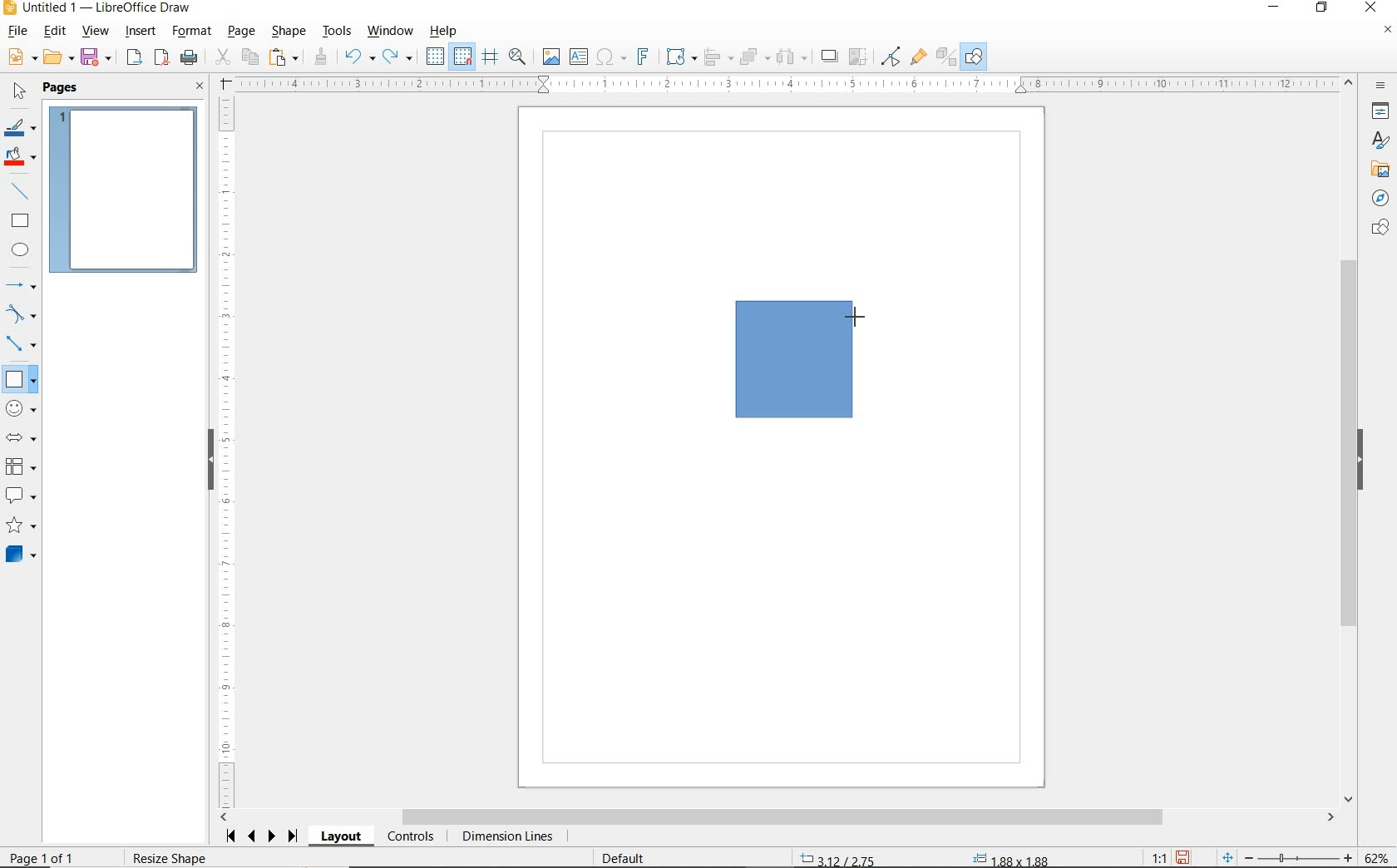 Image resolution: width=1397 pixels, height=868 pixels. Describe the element at coordinates (26, 437) in the screenshot. I see `BLOCK ARROWS` at that location.